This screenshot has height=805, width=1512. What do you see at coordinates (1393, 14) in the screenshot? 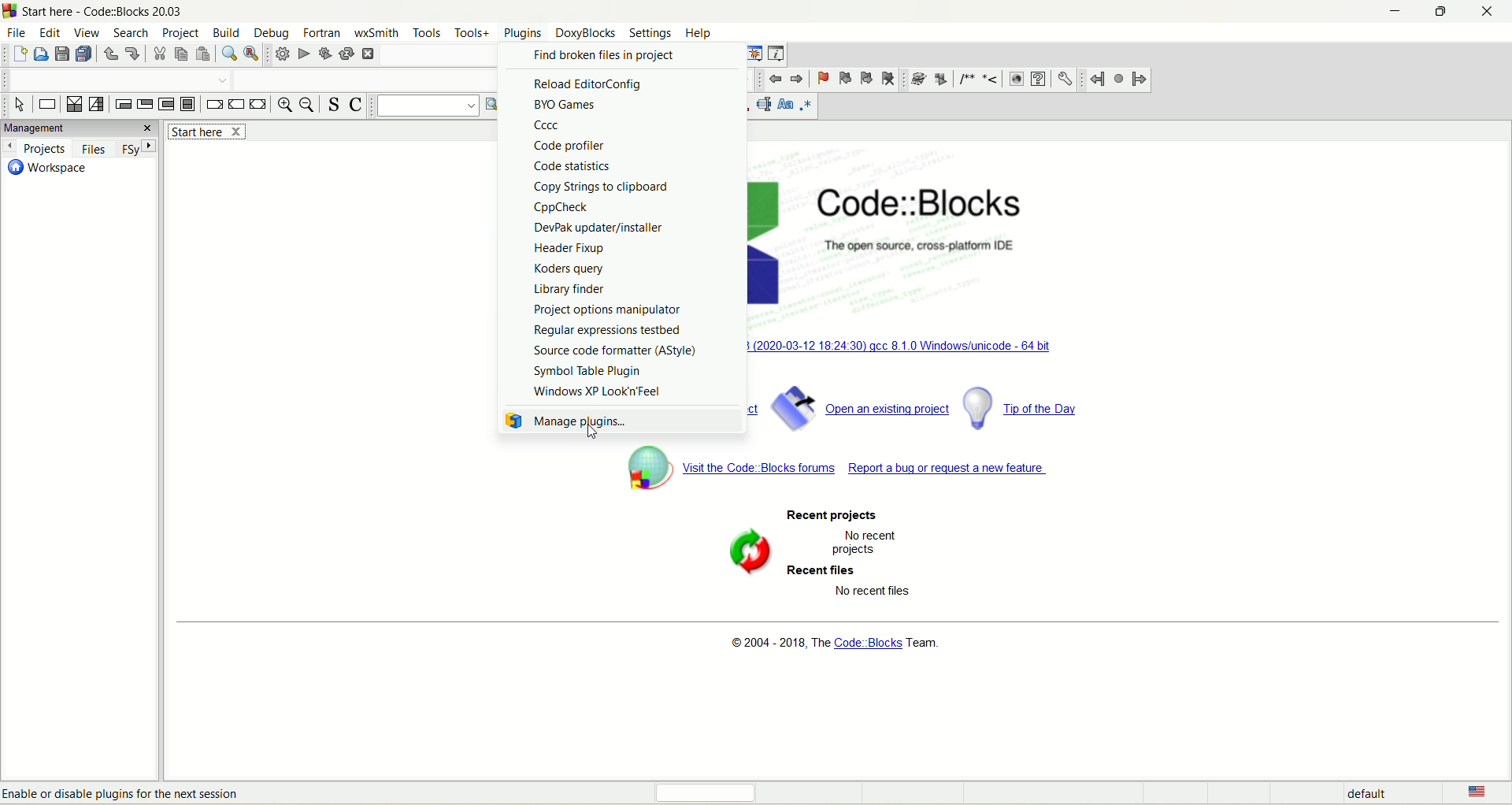
I see `minimize` at bounding box center [1393, 14].